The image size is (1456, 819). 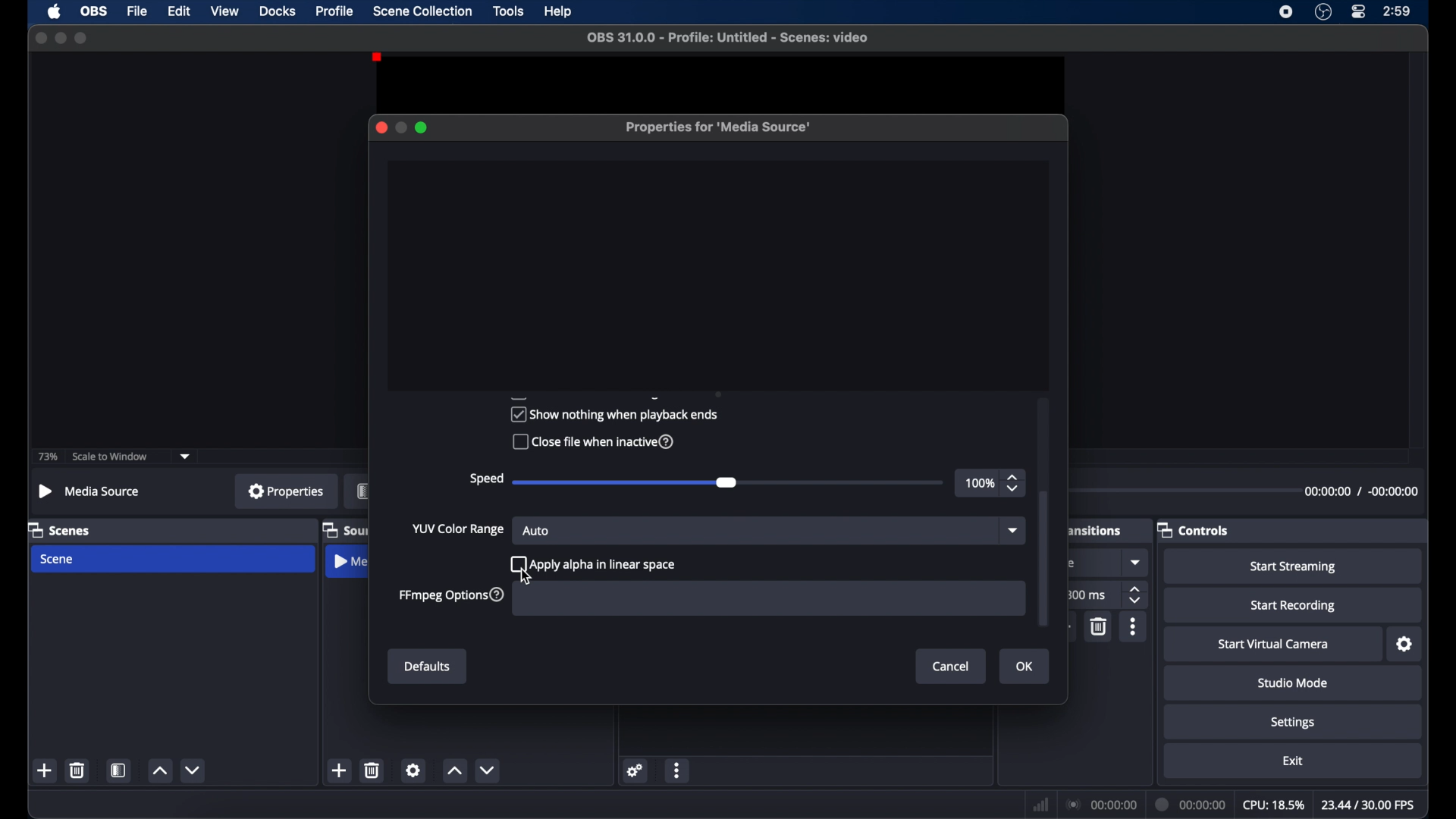 What do you see at coordinates (1045, 559) in the screenshot?
I see `scroll box` at bounding box center [1045, 559].